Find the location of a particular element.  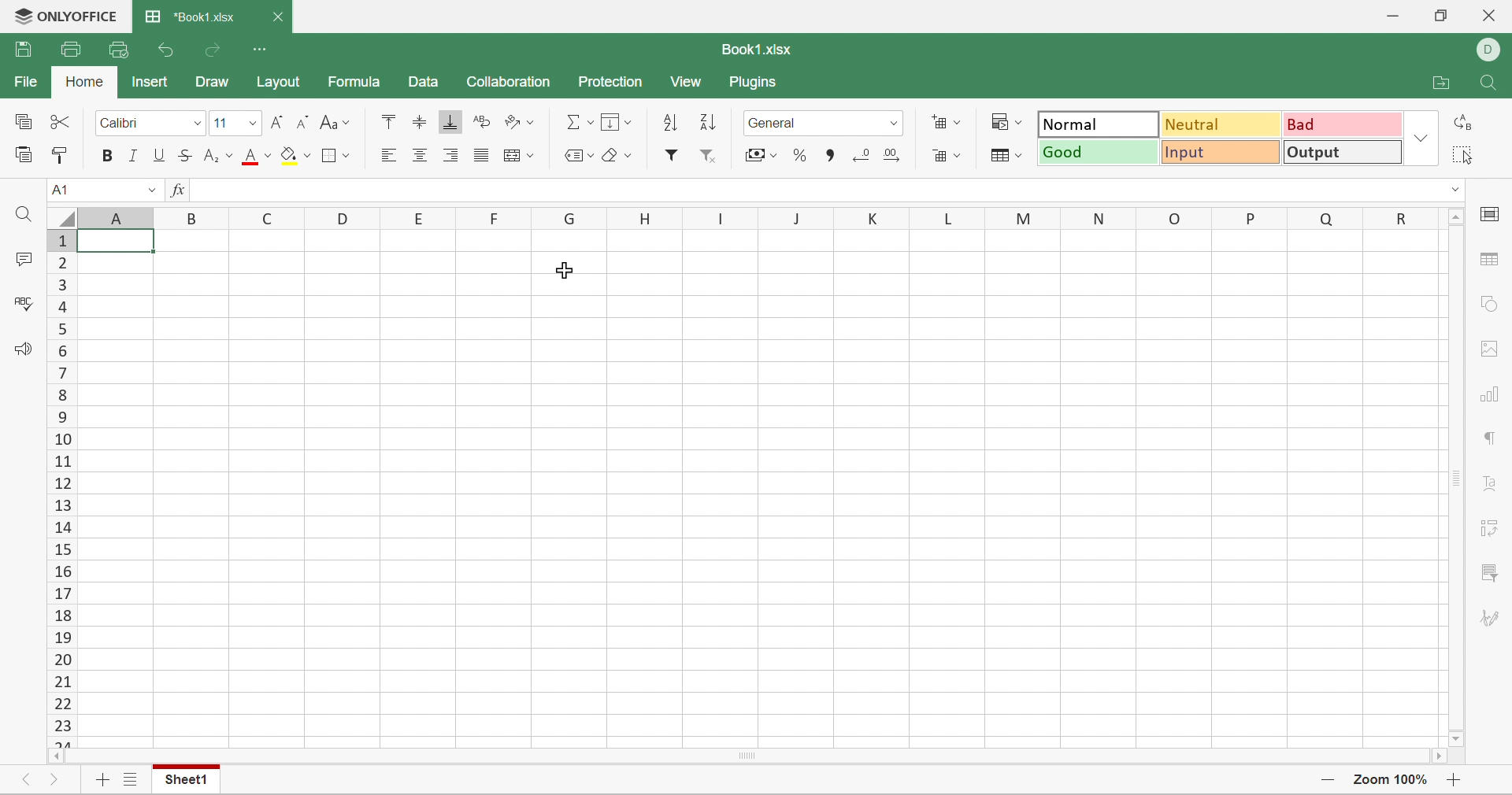

Cell A1 highlighted is located at coordinates (120, 241).